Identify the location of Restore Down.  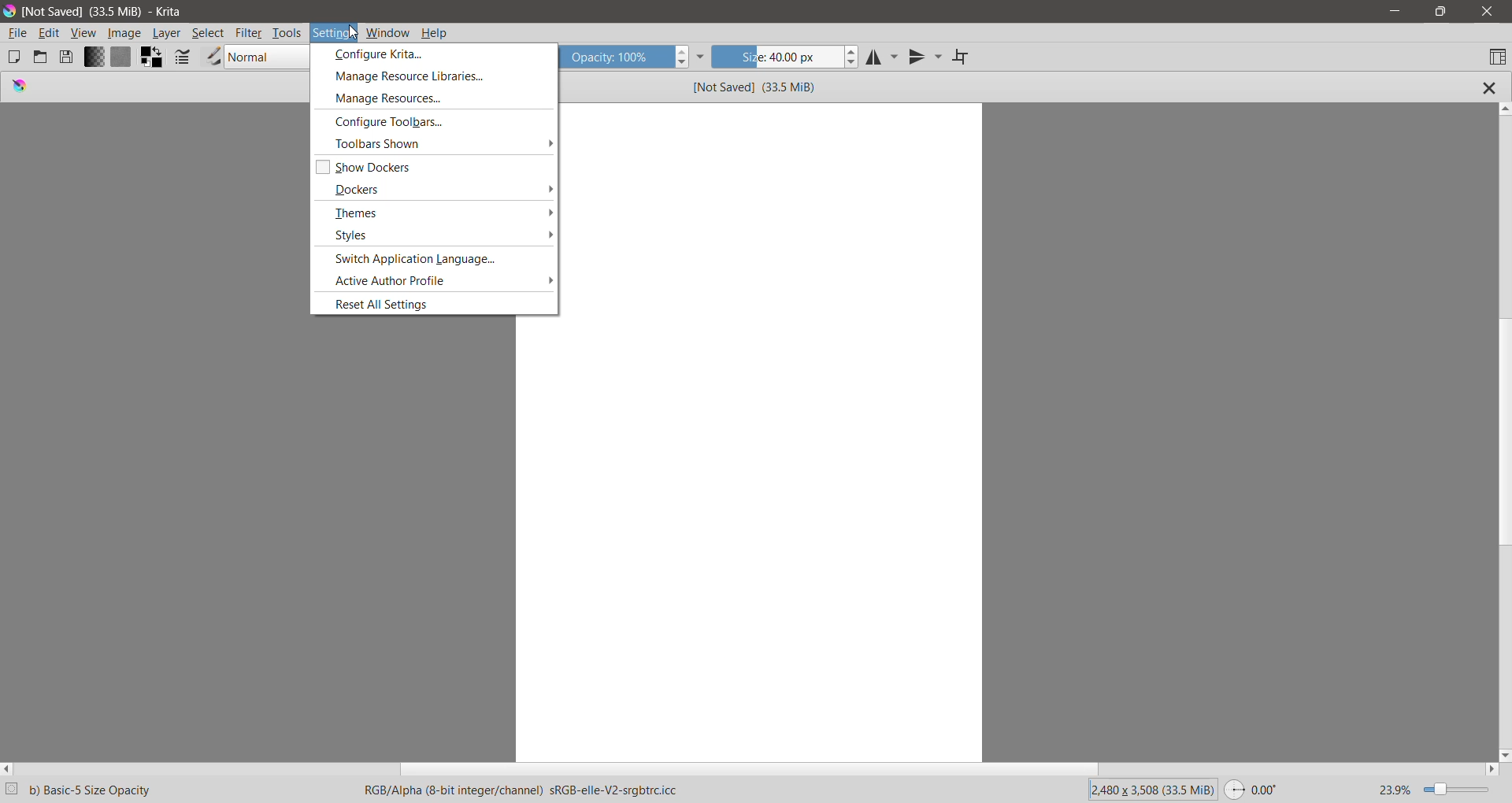
(1442, 11).